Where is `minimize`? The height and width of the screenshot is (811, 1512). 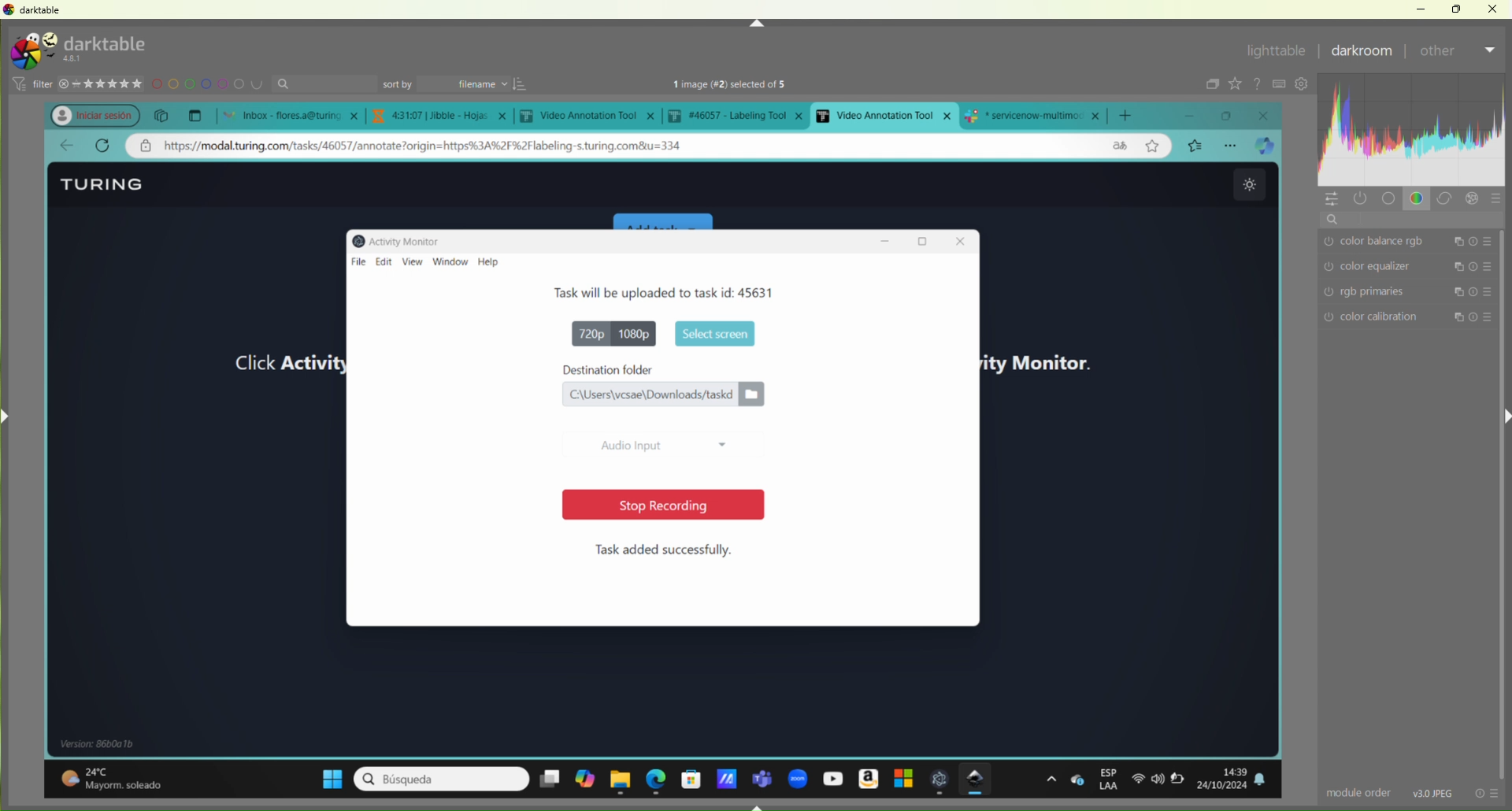
minimize is located at coordinates (1199, 115).